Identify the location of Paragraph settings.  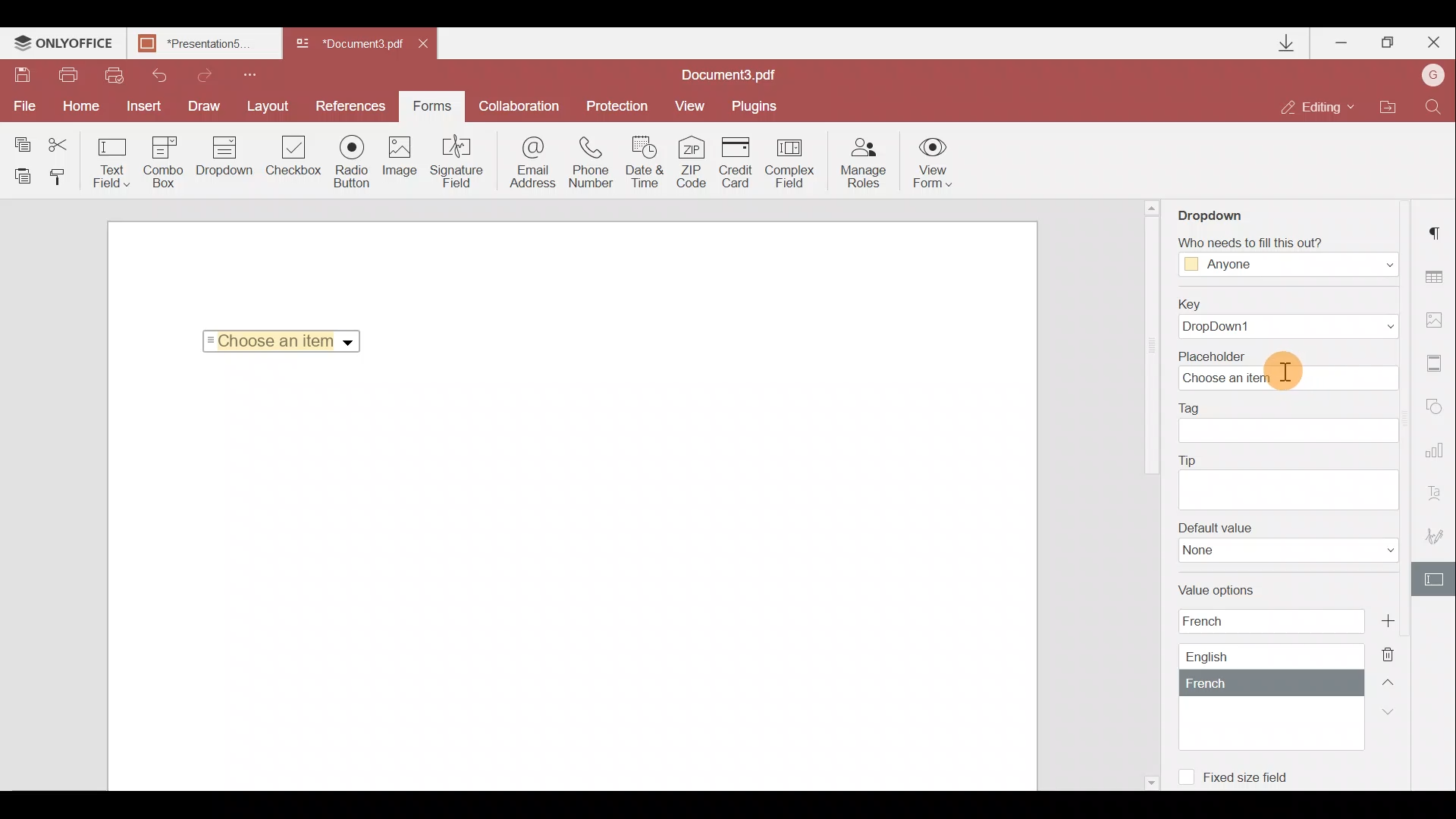
(1438, 228).